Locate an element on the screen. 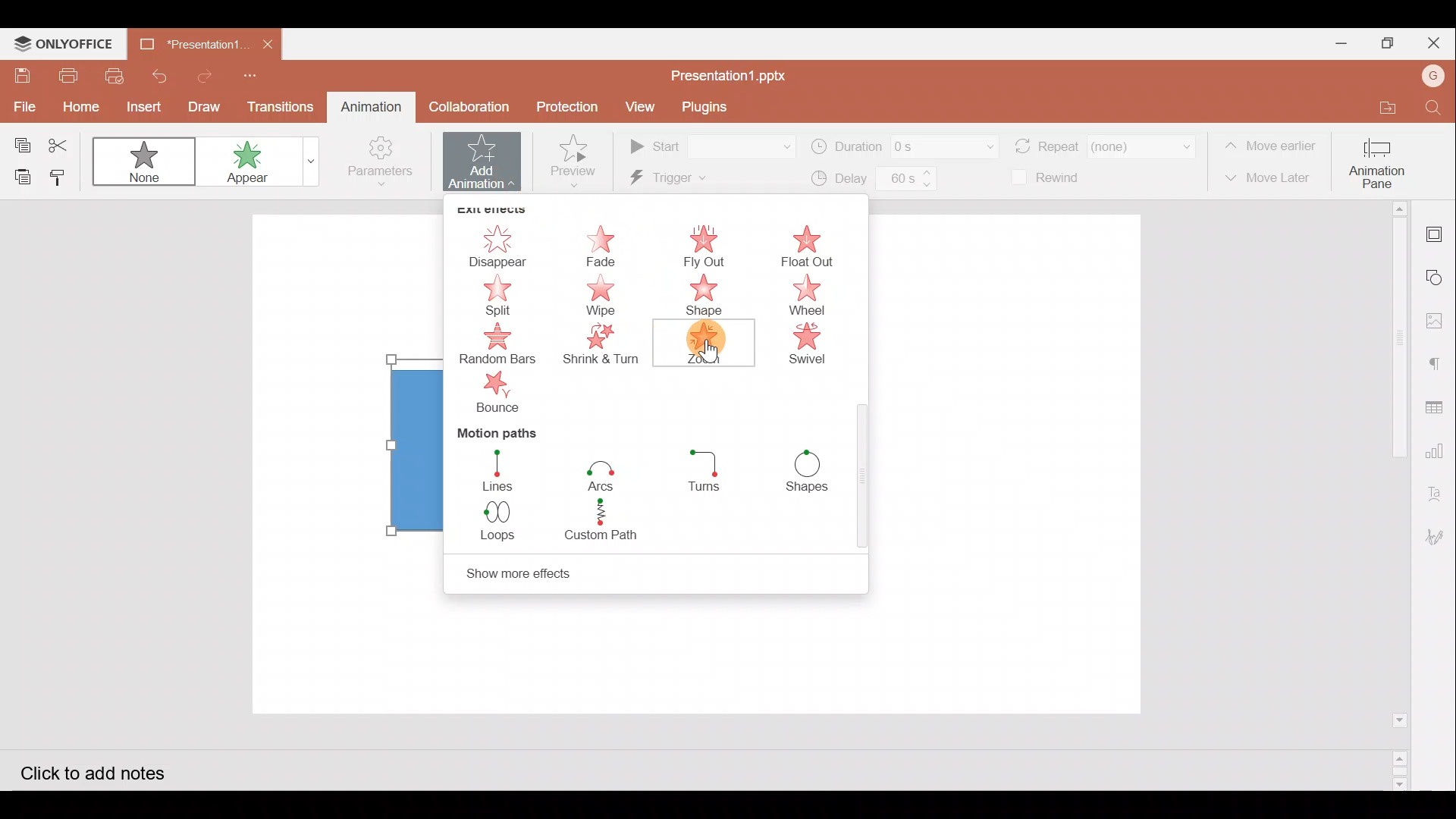 The image size is (1456, 819). Add animation is located at coordinates (484, 162).